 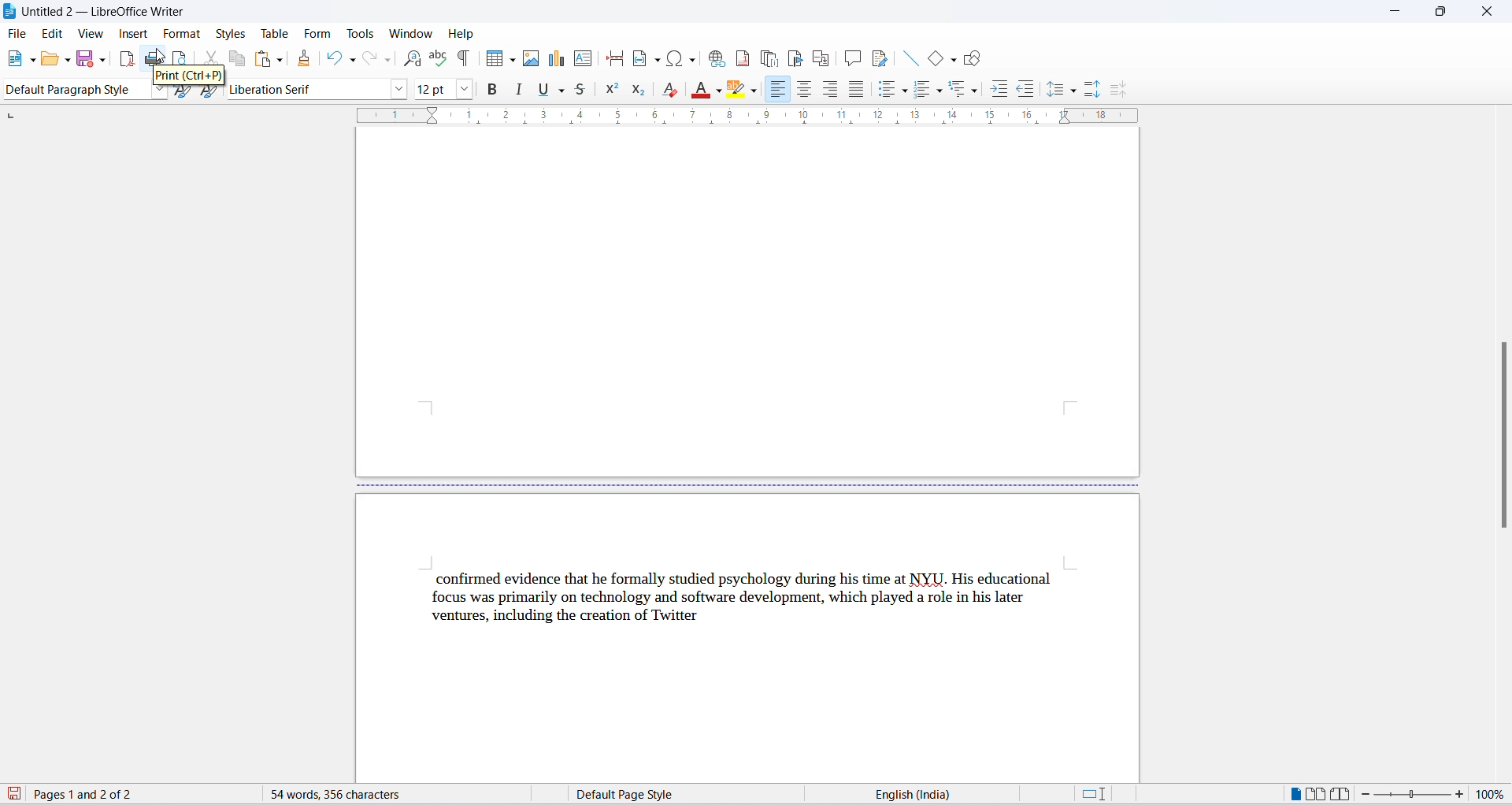 I want to click on form, so click(x=319, y=33).